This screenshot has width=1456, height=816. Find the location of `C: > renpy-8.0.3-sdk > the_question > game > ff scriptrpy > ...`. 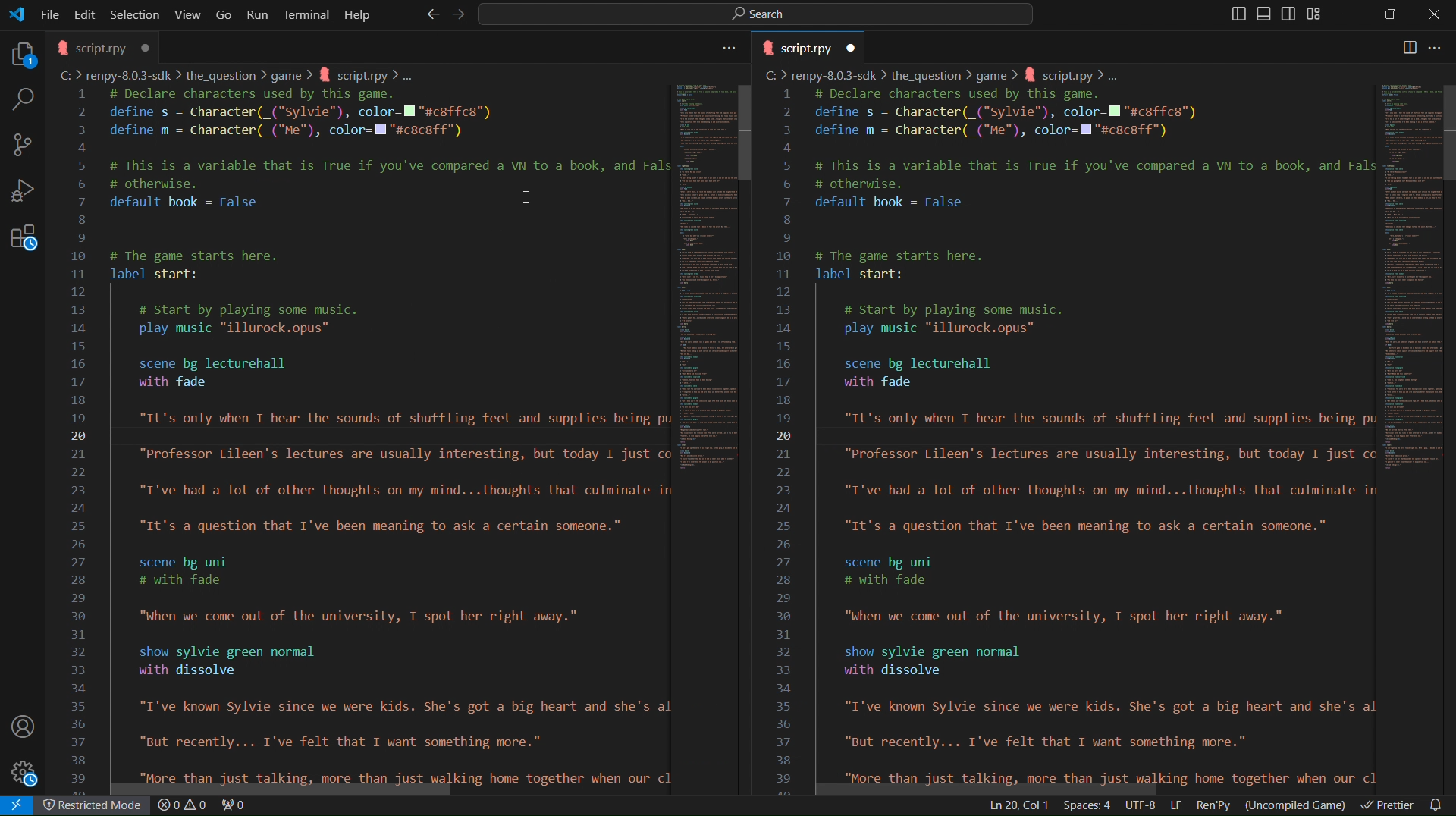

C: > renpy-8.0.3-sdk > the_question > game > ff scriptrpy > ... is located at coordinates (241, 75).